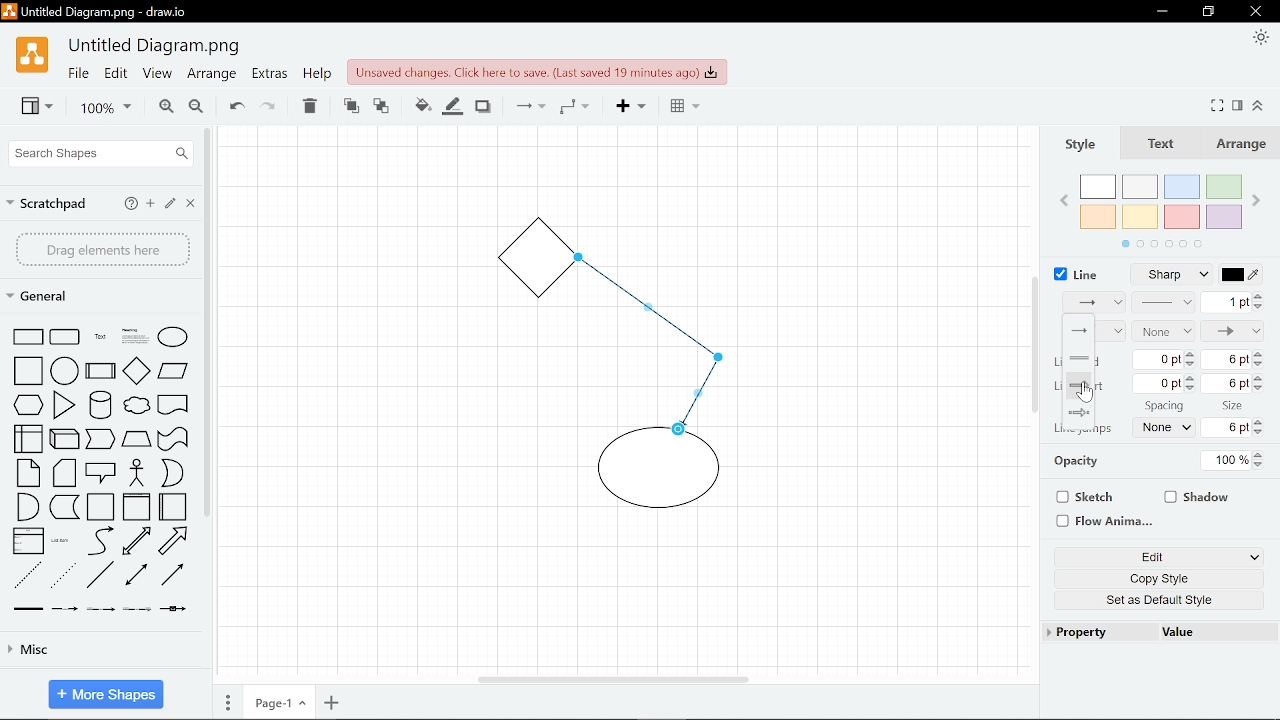  I want to click on Decrease opacity, so click(1262, 466).